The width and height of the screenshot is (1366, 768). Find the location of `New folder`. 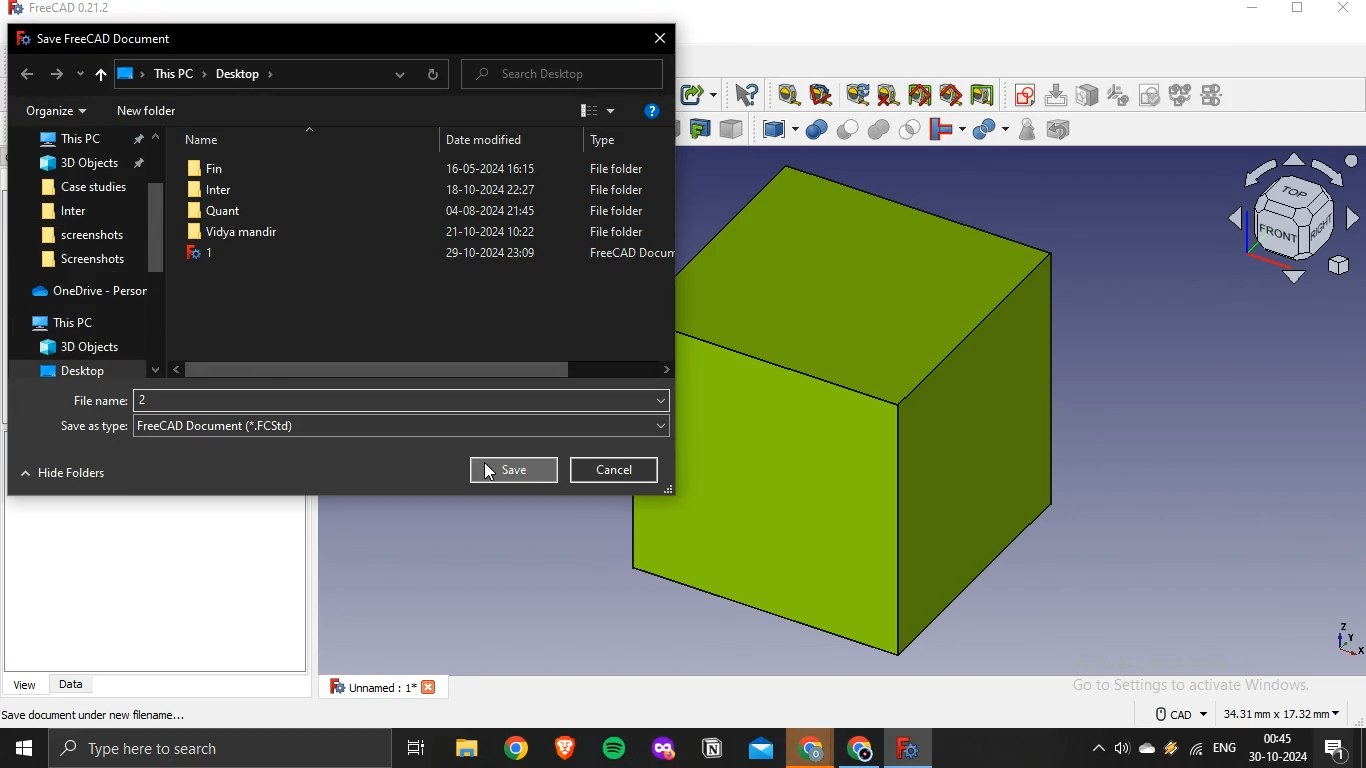

New folder is located at coordinates (148, 111).